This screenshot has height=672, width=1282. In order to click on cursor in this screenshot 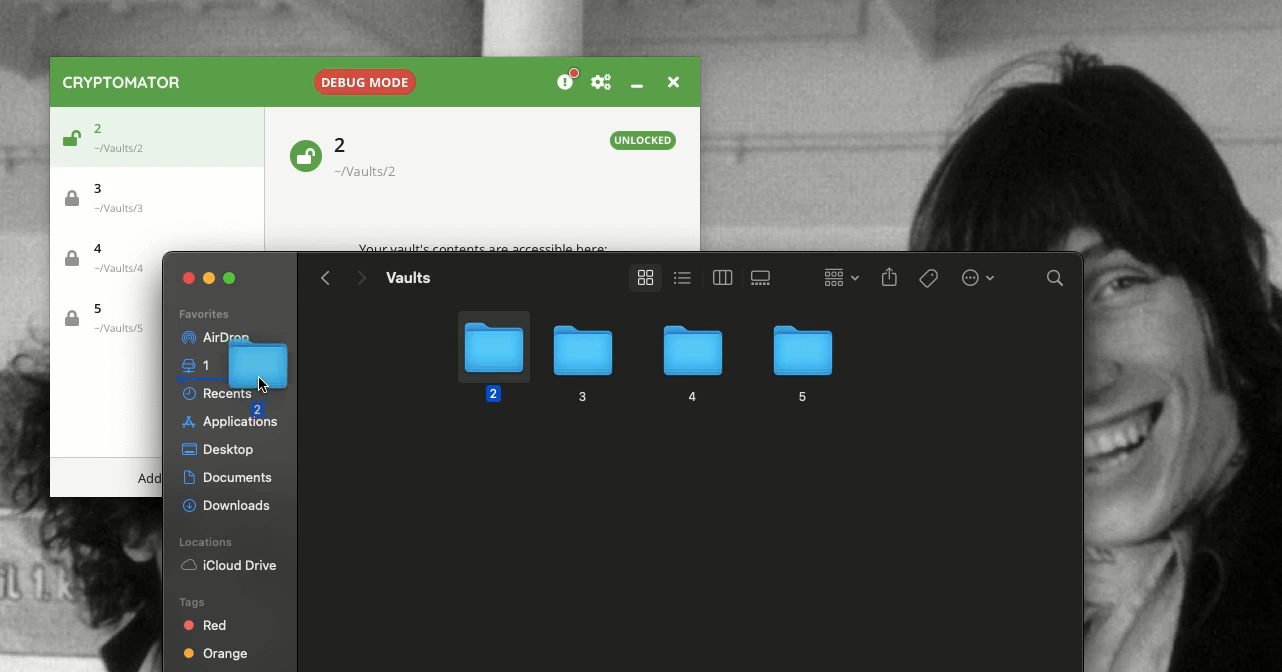, I will do `click(264, 386)`.